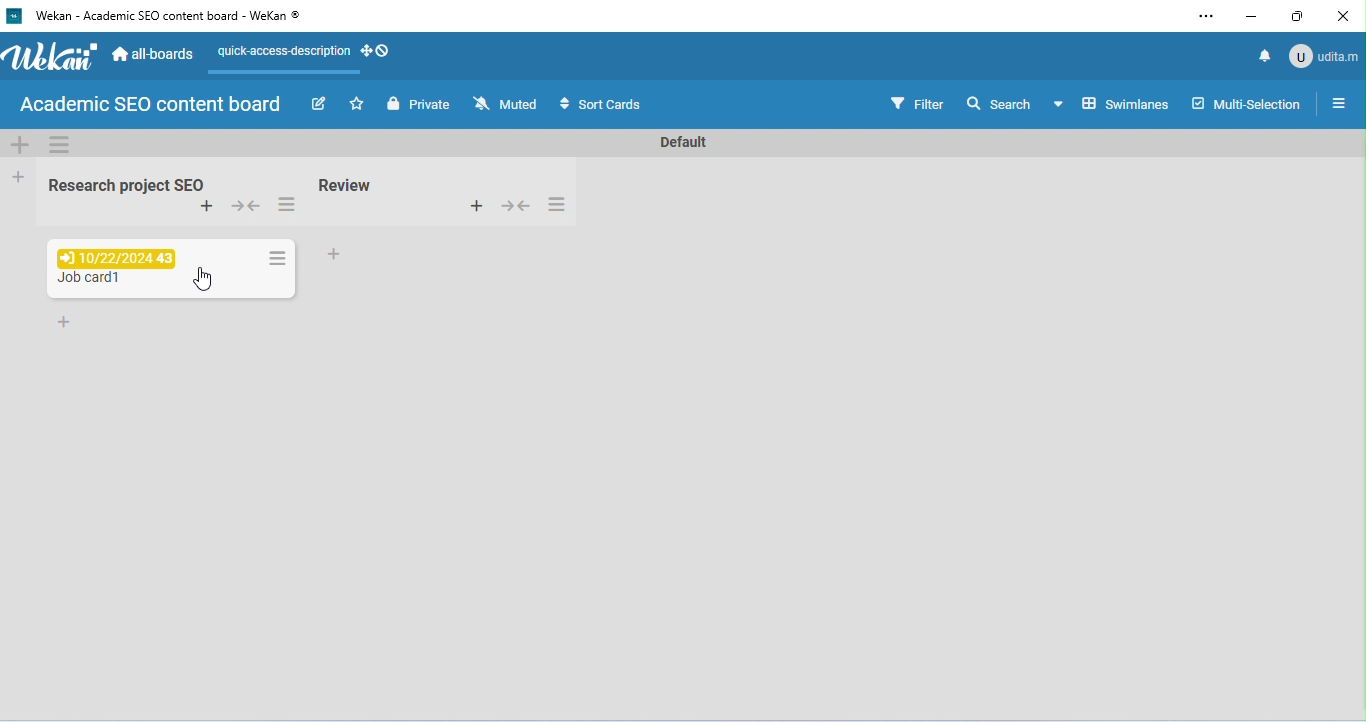  What do you see at coordinates (322, 106) in the screenshot?
I see `edit` at bounding box center [322, 106].